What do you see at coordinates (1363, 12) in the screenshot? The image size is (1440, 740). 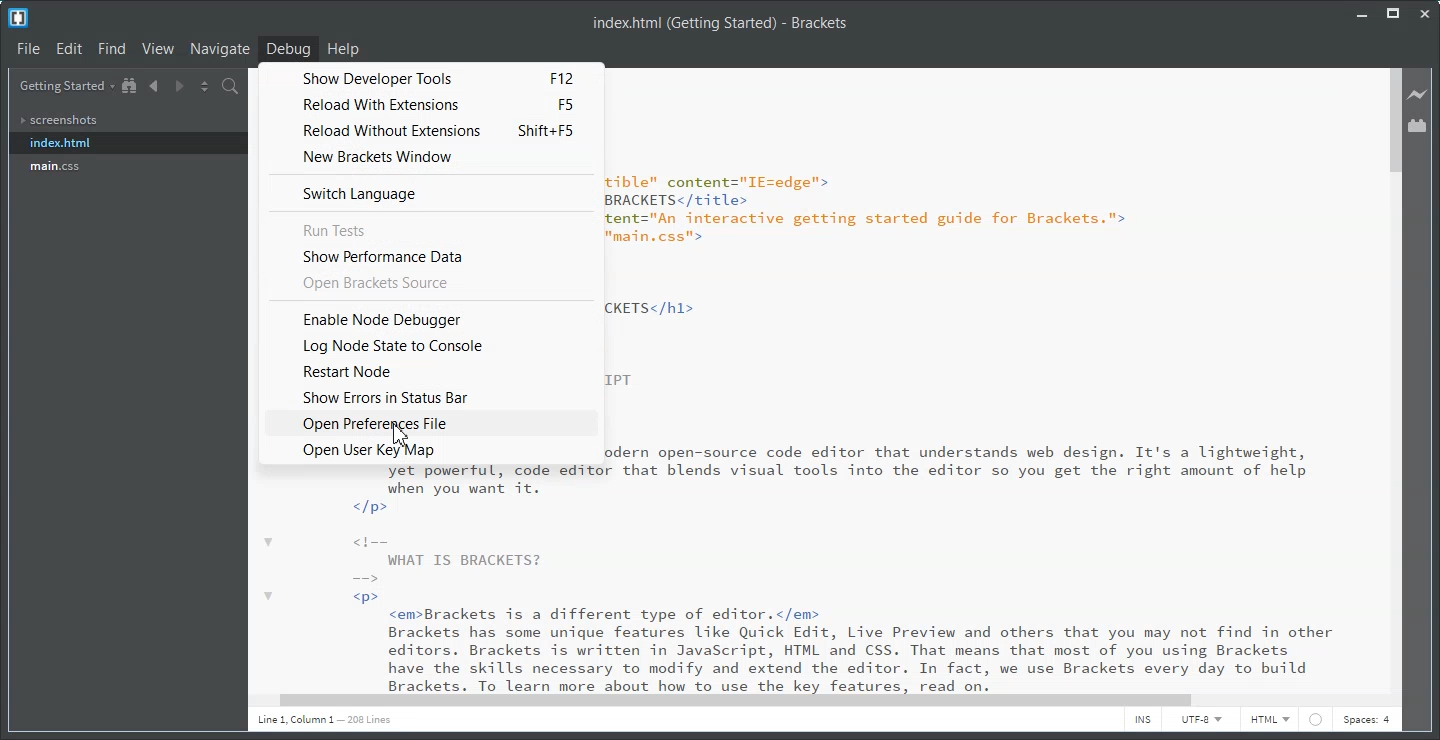 I see `Minimize` at bounding box center [1363, 12].